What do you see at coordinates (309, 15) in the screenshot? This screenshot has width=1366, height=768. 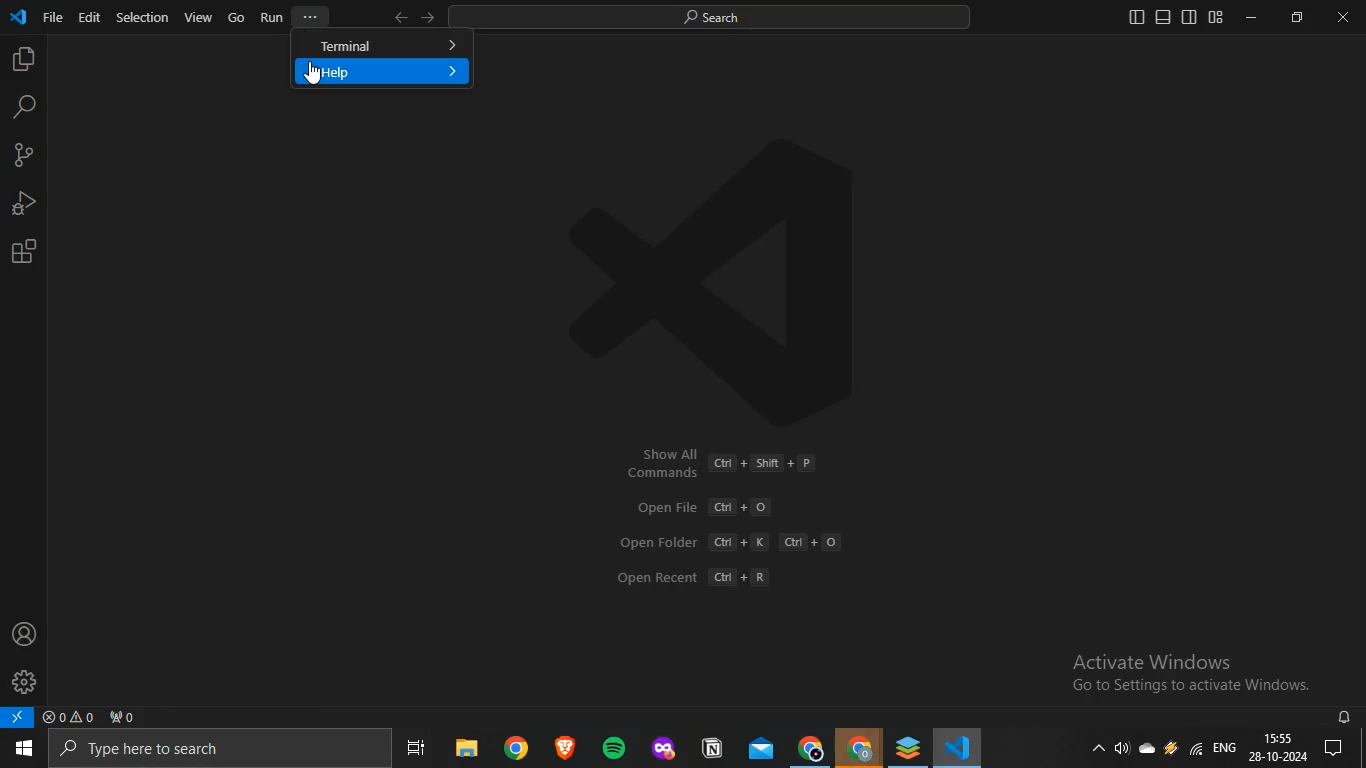 I see `...` at bounding box center [309, 15].